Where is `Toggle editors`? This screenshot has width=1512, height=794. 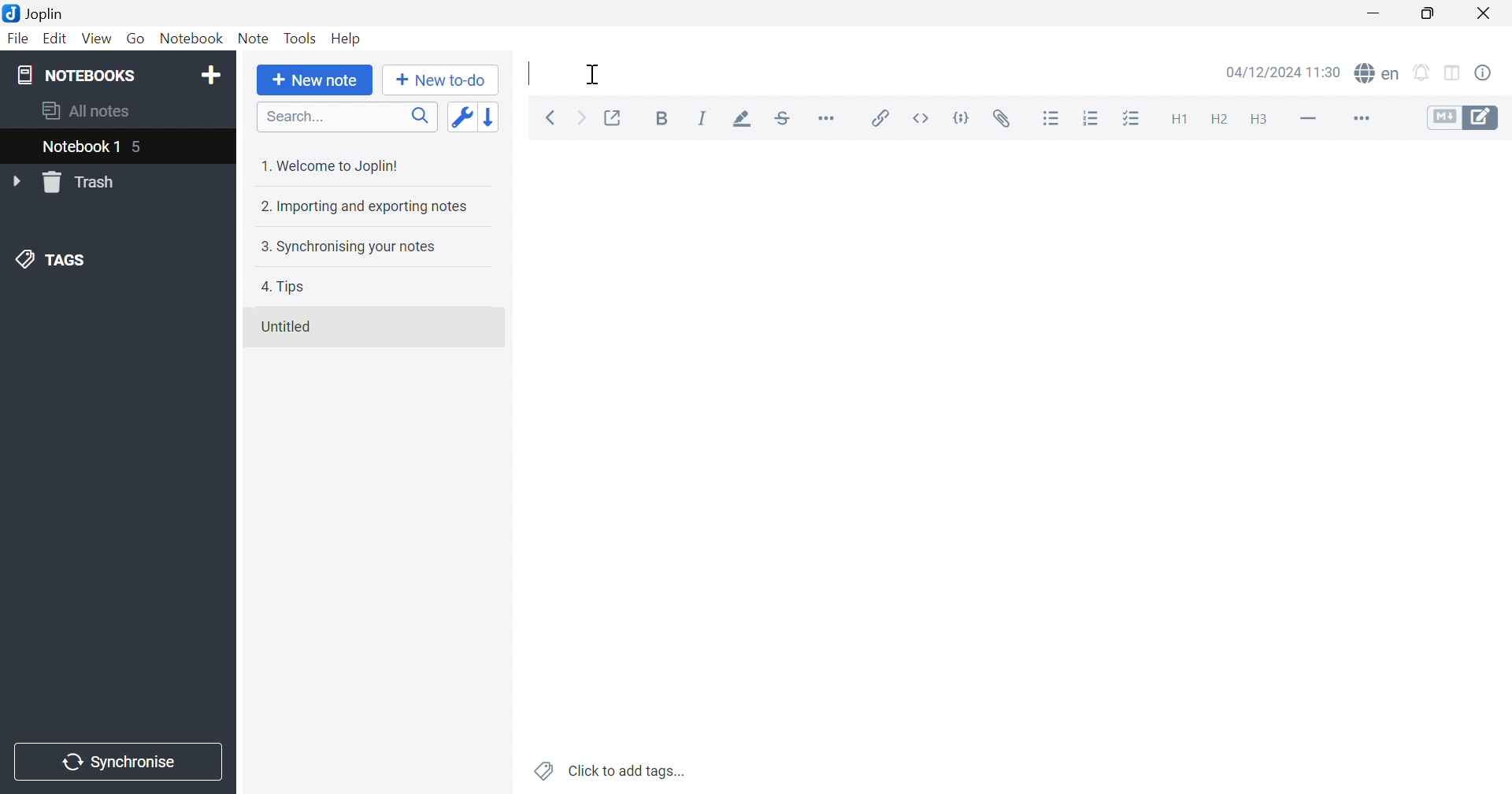 Toggle editors is located at coordinates (1463, 120).